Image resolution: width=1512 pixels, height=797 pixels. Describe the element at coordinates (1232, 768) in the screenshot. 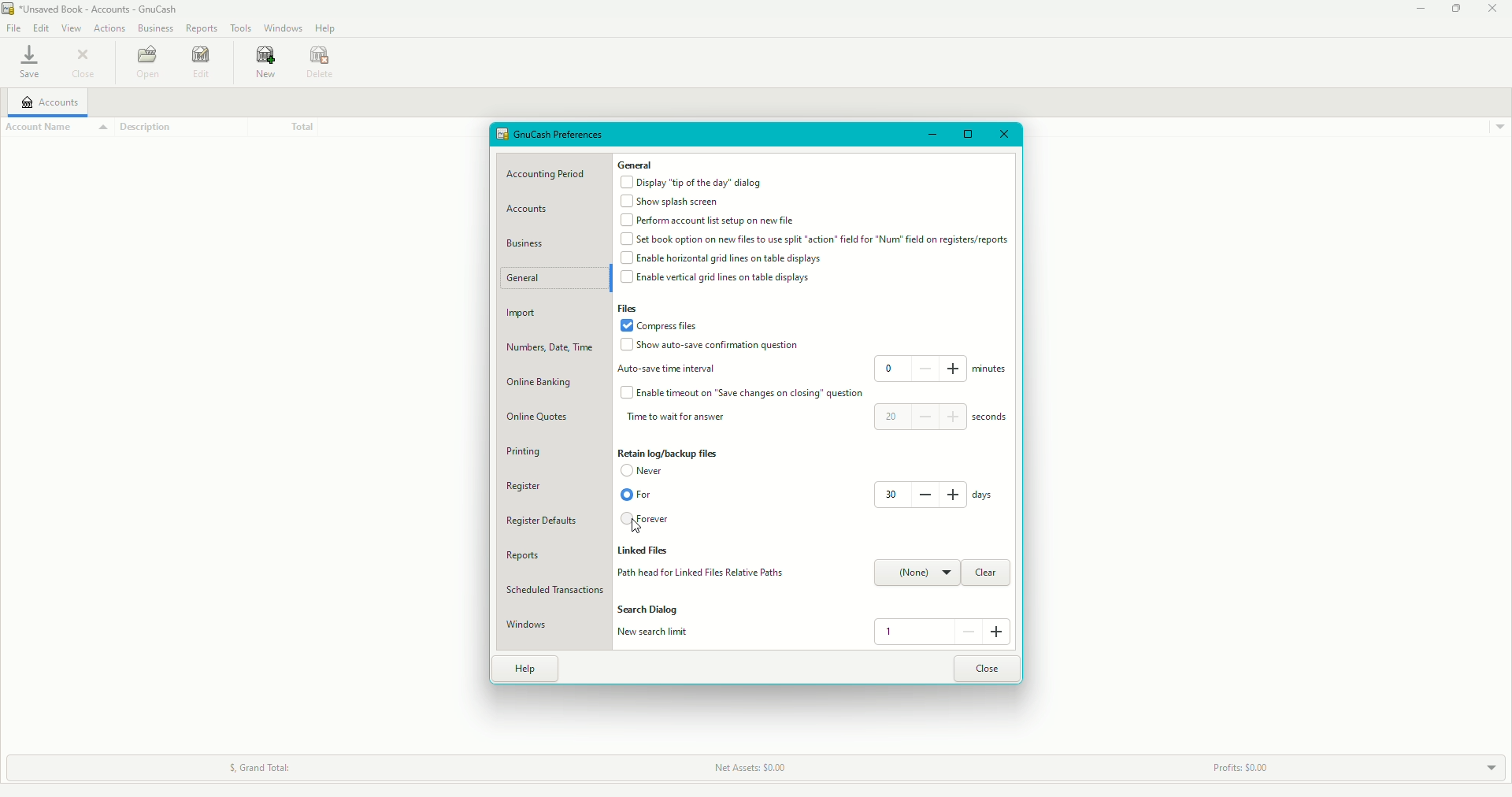

I see `Profits` at that location.